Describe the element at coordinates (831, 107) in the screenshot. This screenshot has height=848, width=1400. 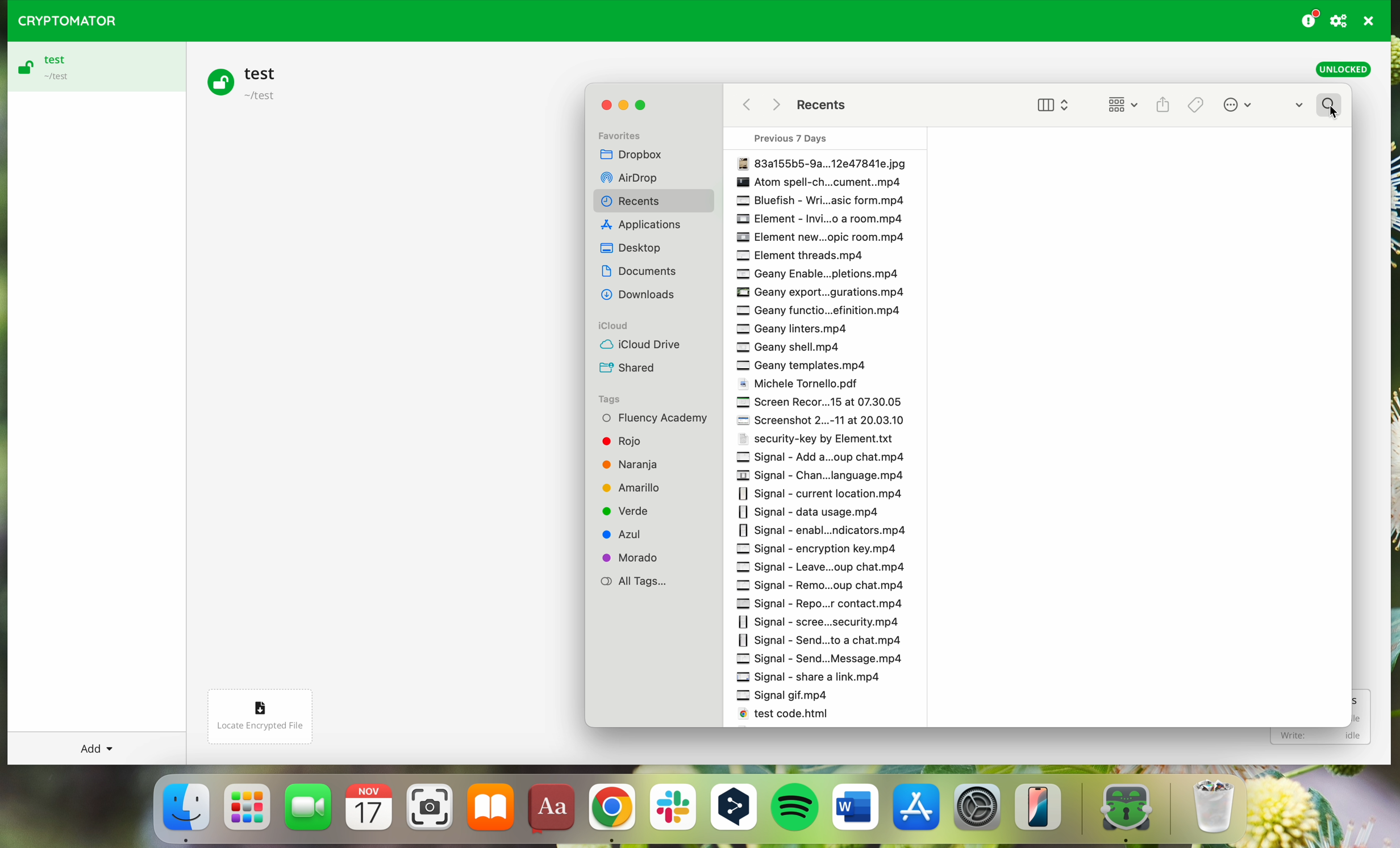
I see `Recents` at that location.